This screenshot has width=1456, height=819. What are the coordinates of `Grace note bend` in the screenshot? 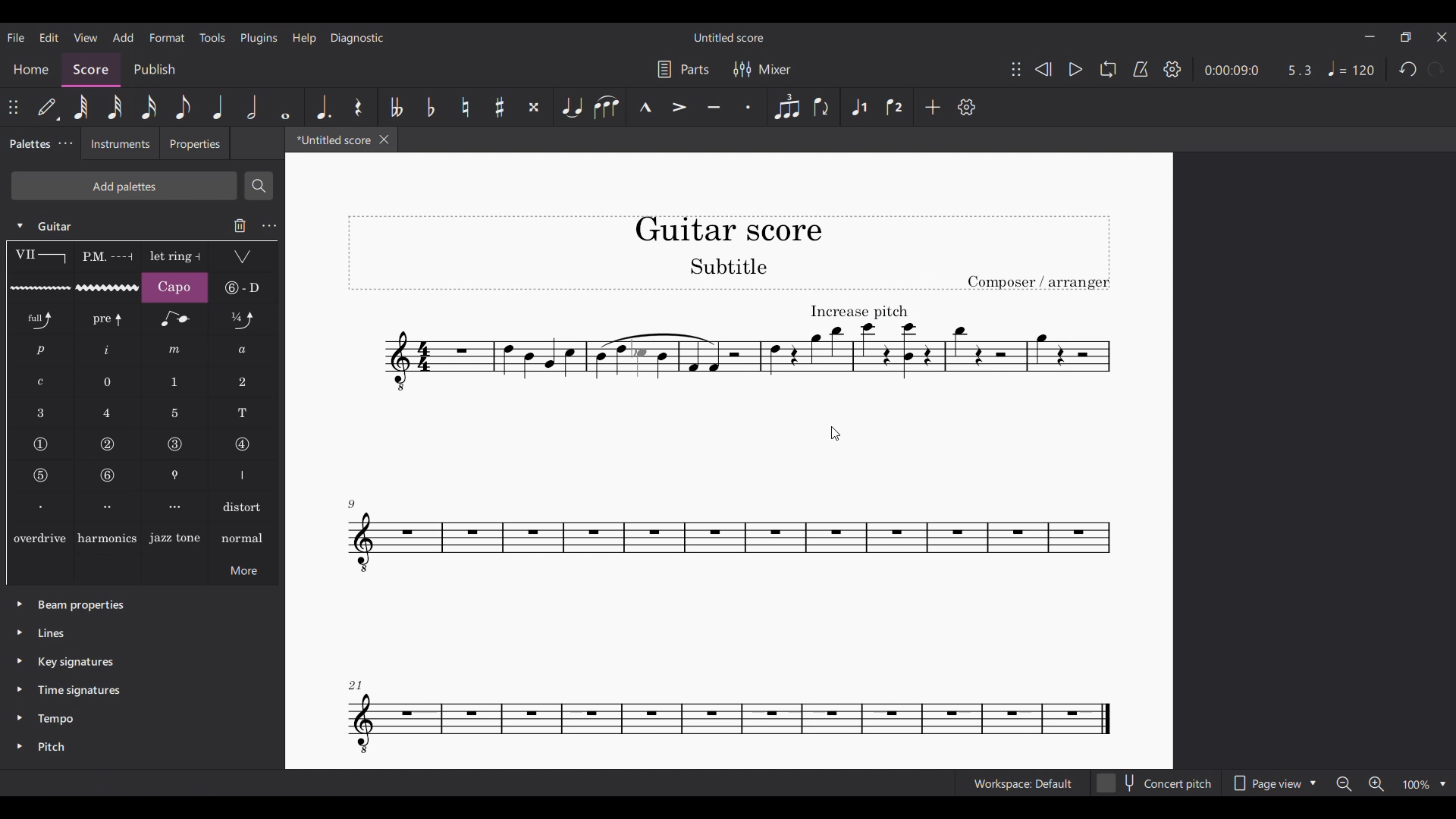 It's located at (175, 319).